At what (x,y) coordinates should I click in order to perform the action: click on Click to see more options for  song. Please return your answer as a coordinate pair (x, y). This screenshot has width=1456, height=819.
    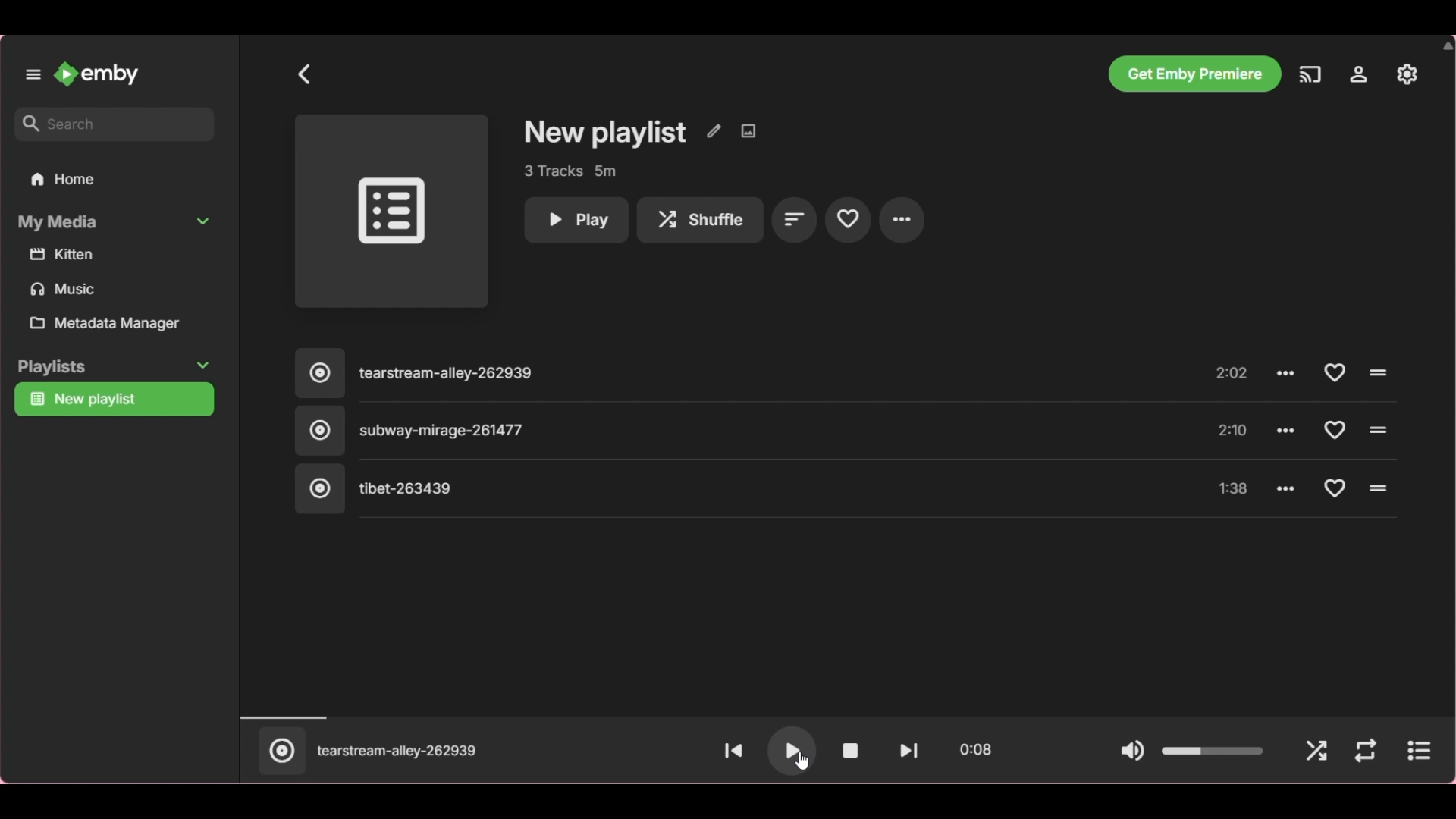
    Looking at the image, I should click on (1288, 428).